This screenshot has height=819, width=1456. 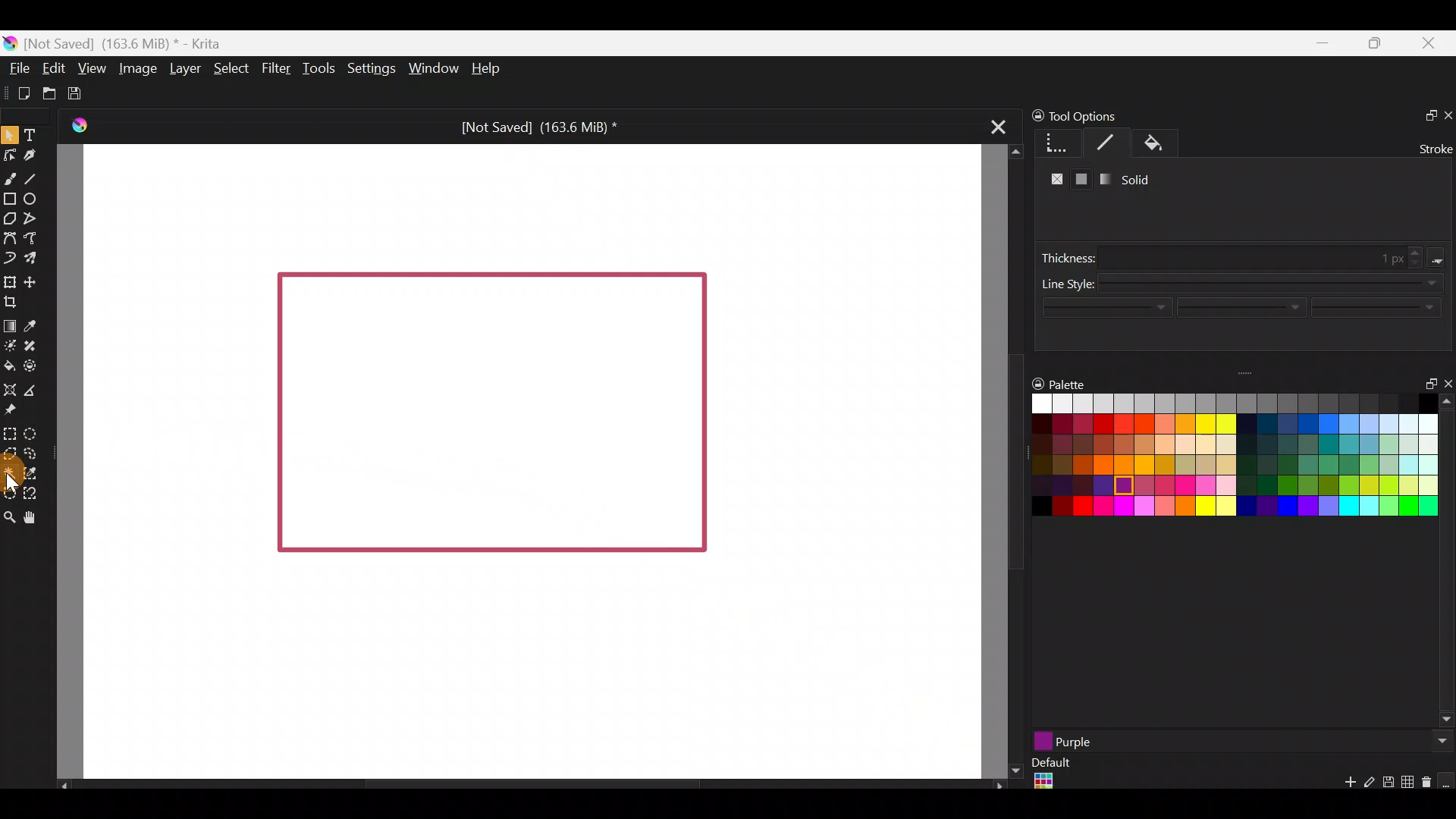 I want to click on Stroke, so click(x=1429, y=146).